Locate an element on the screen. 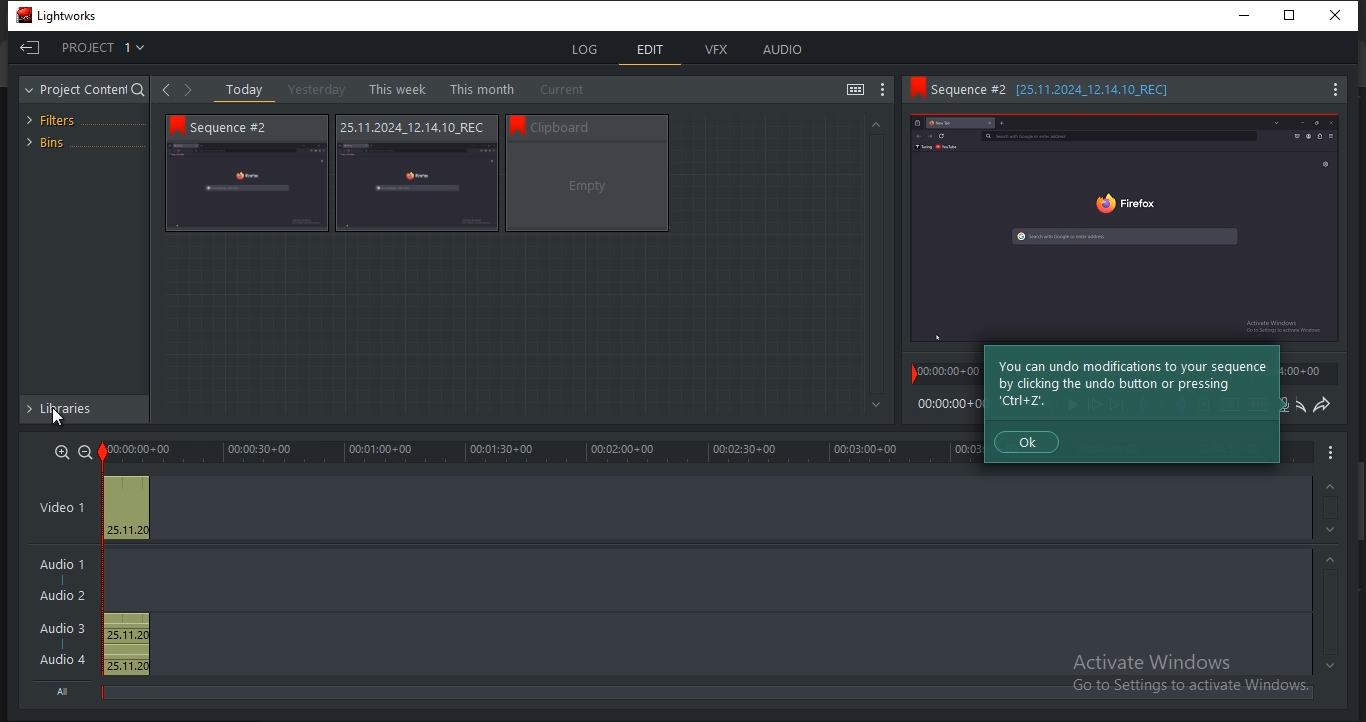 Image resolution: width=1366 pixels, height=722 pixels. Lightworks is located at coordinates (62, 15).